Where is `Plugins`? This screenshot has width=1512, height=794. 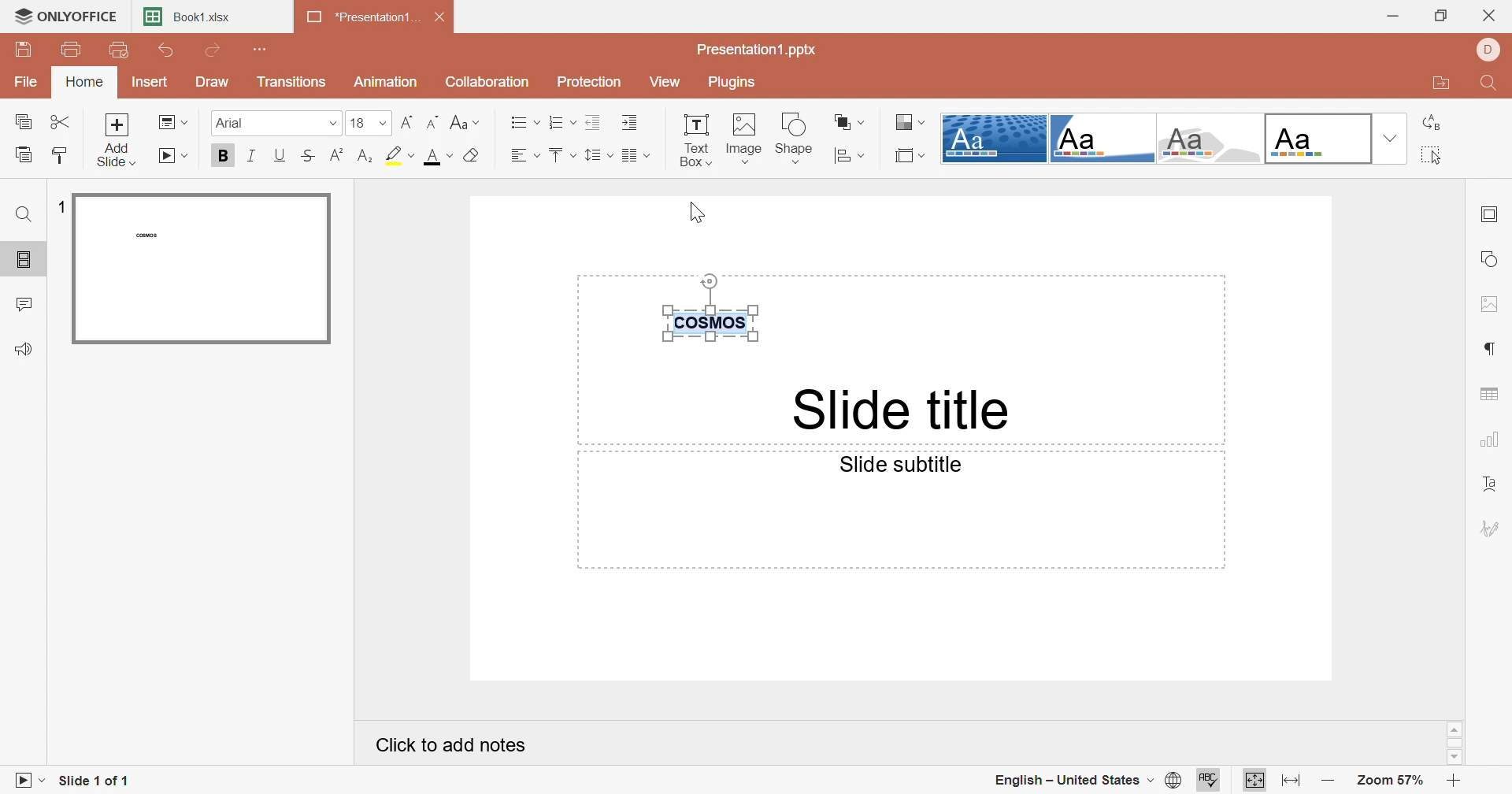 Plugins is located at coordinates (731, 83).